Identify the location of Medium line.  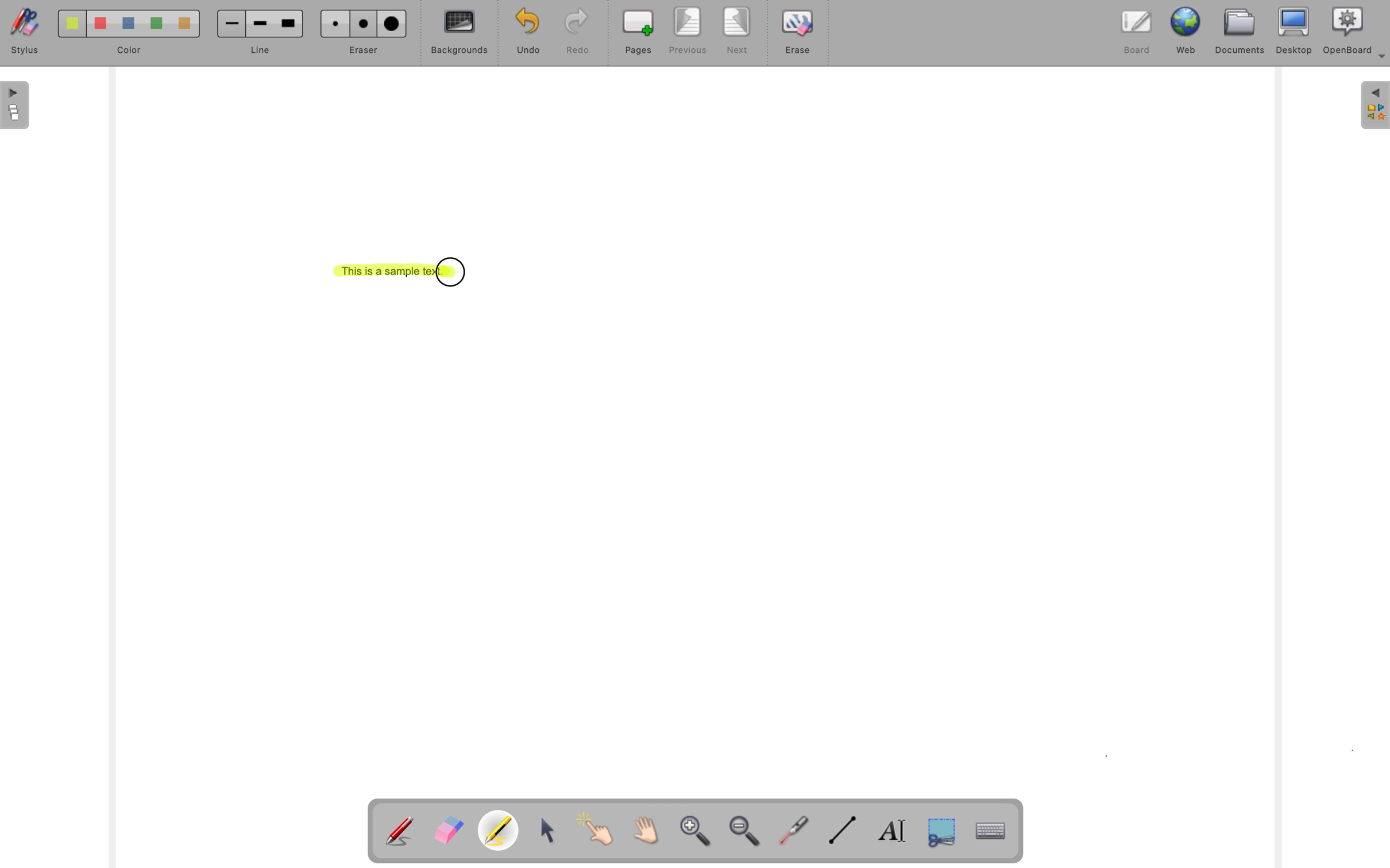
(261, 24).